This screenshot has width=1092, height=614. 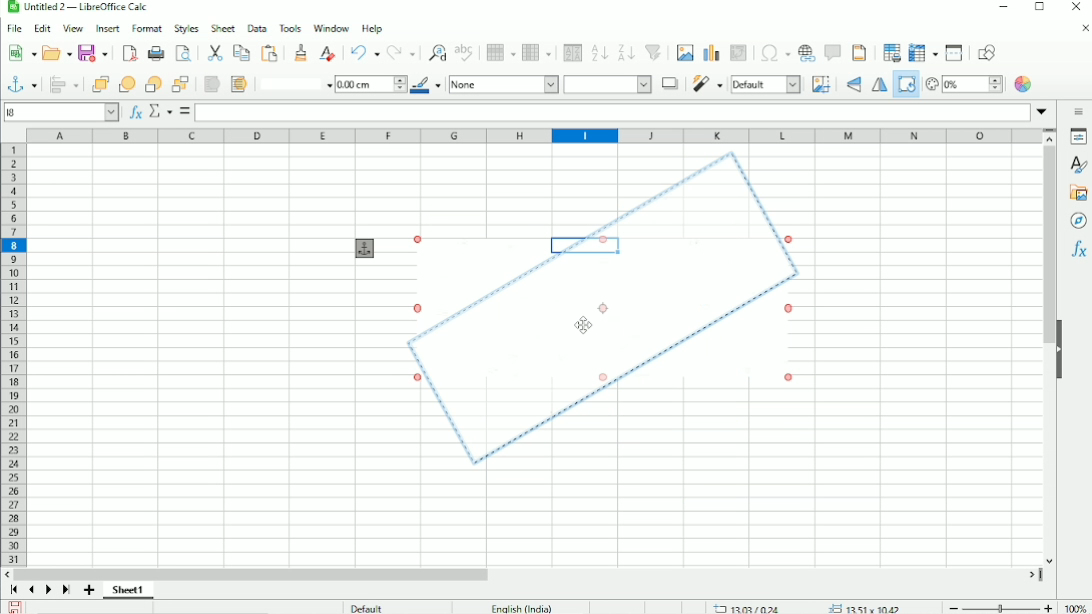 I want to click on Crop image, so click(x=822, y=84).